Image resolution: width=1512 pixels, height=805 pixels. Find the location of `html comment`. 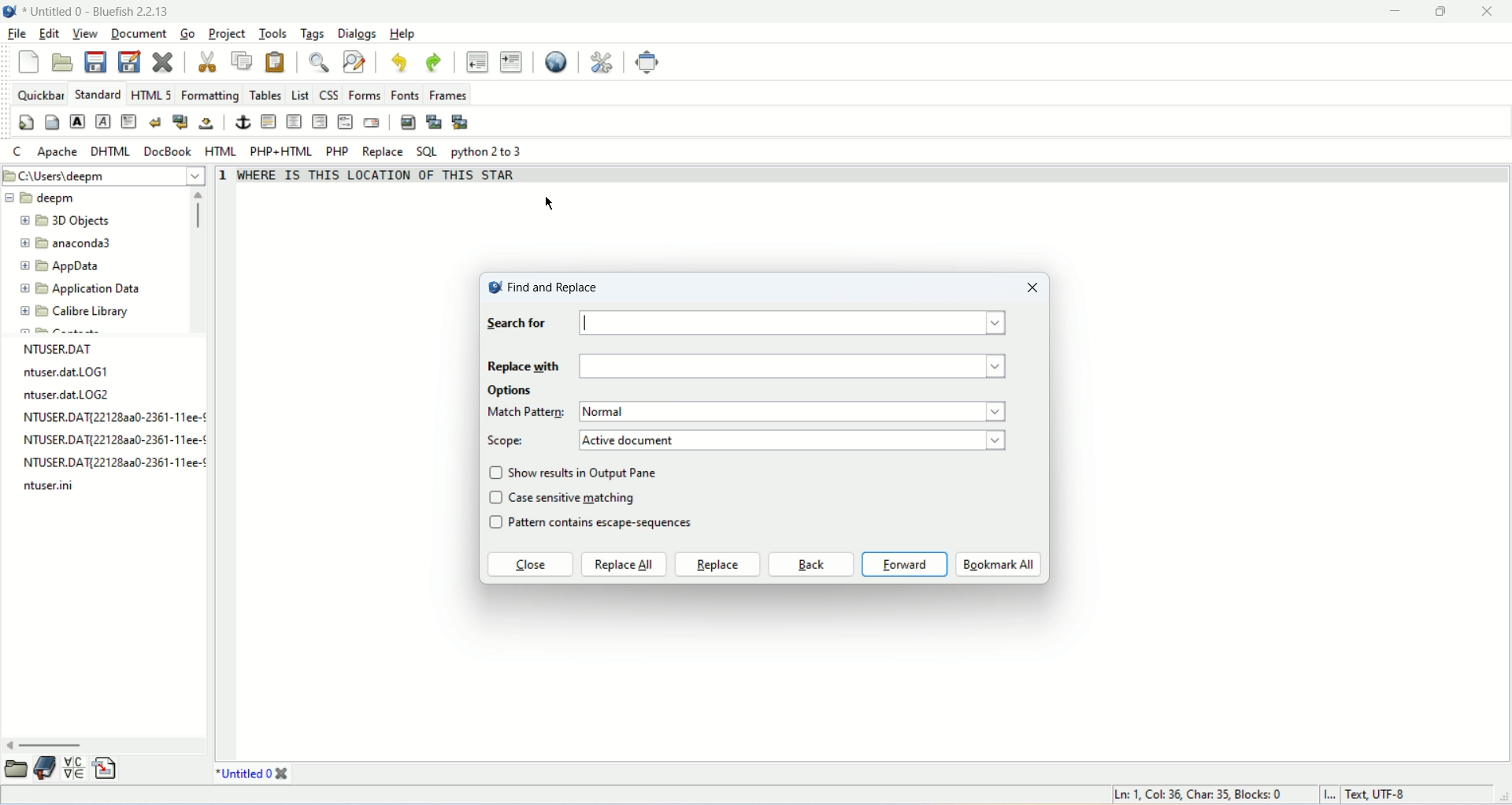

html comment is located at coordinates (346, 123).